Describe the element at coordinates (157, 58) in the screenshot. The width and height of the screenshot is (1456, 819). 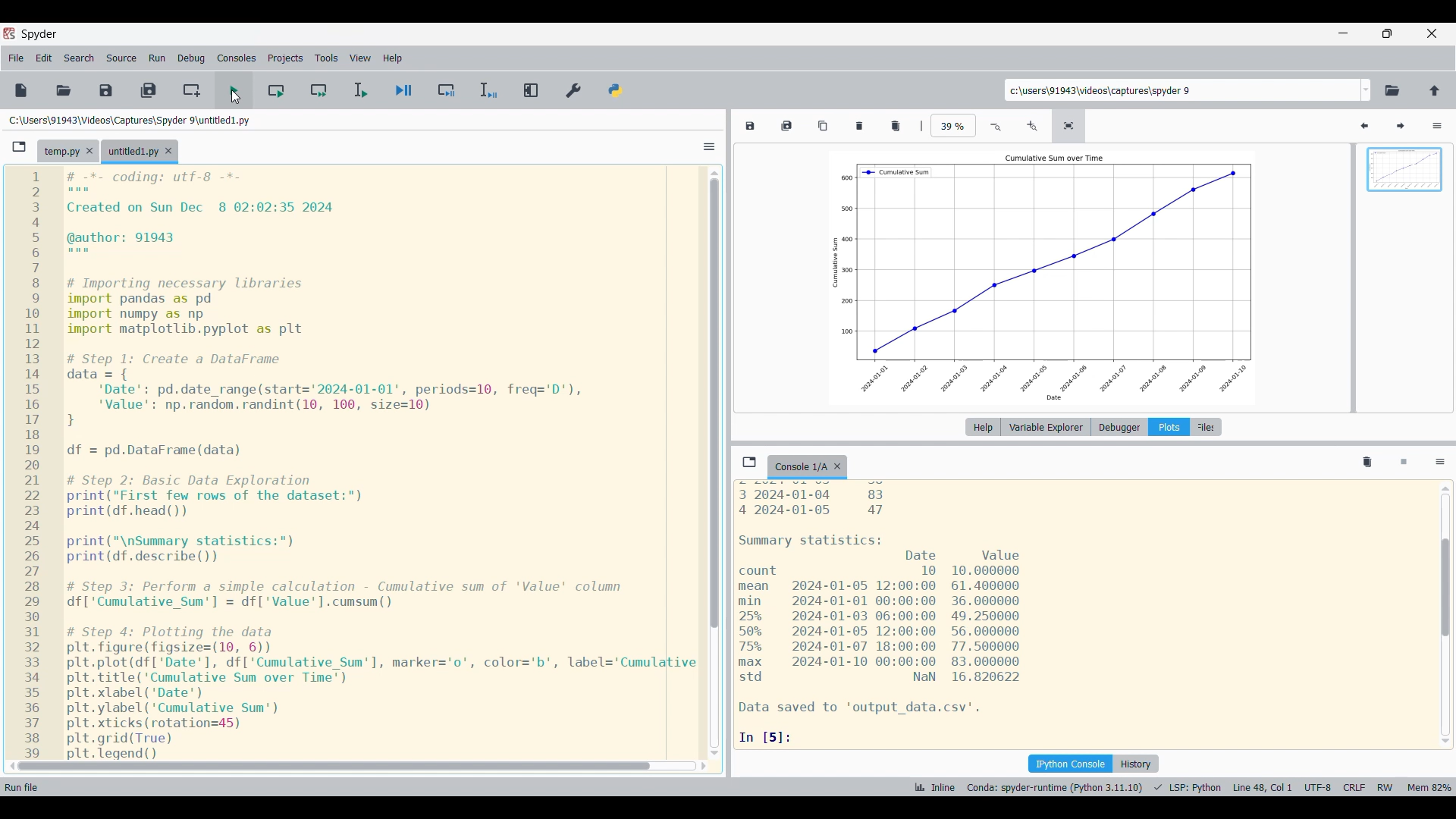
I see `Run menu` at that location.